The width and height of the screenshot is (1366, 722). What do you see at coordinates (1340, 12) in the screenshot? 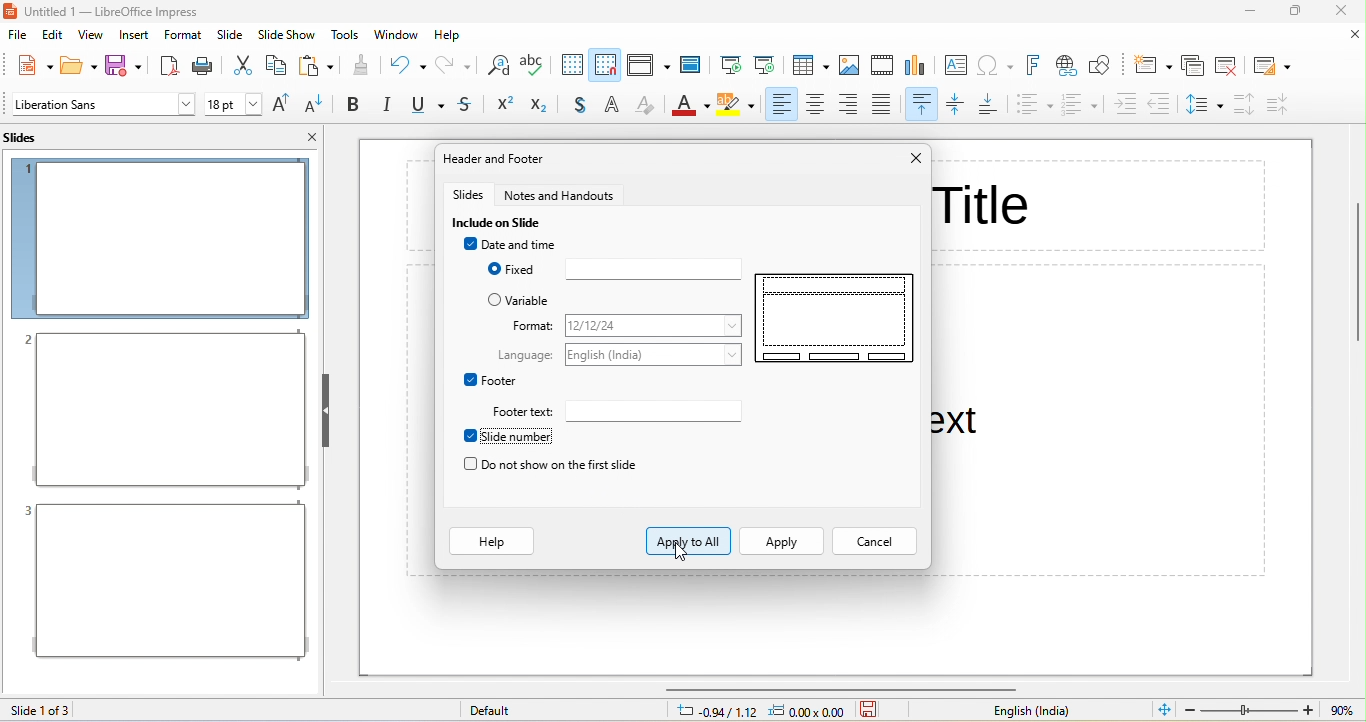
I see `close` at bounding box center [1340, 12].